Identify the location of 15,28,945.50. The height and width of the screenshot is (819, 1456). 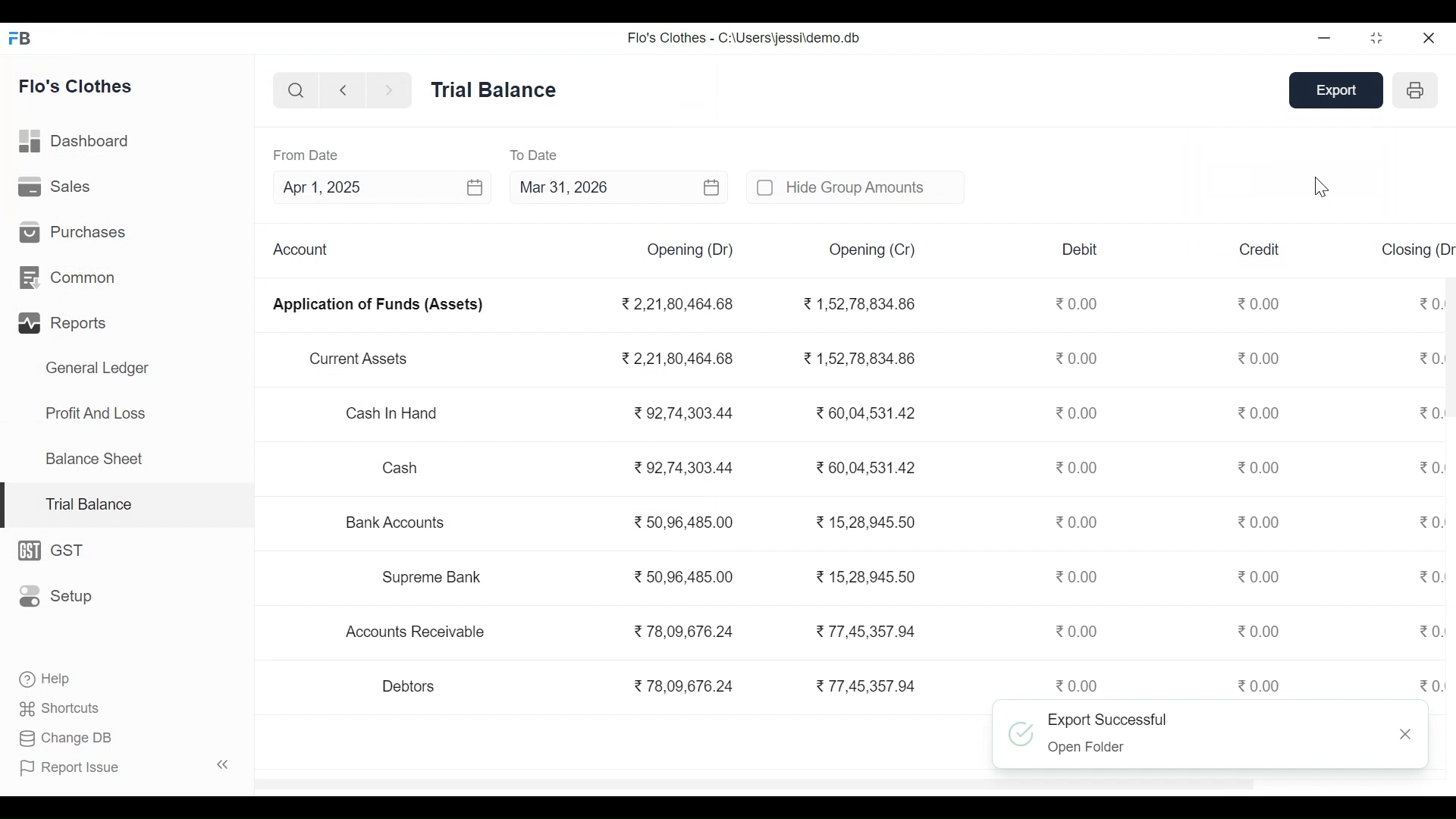
(868, 576).